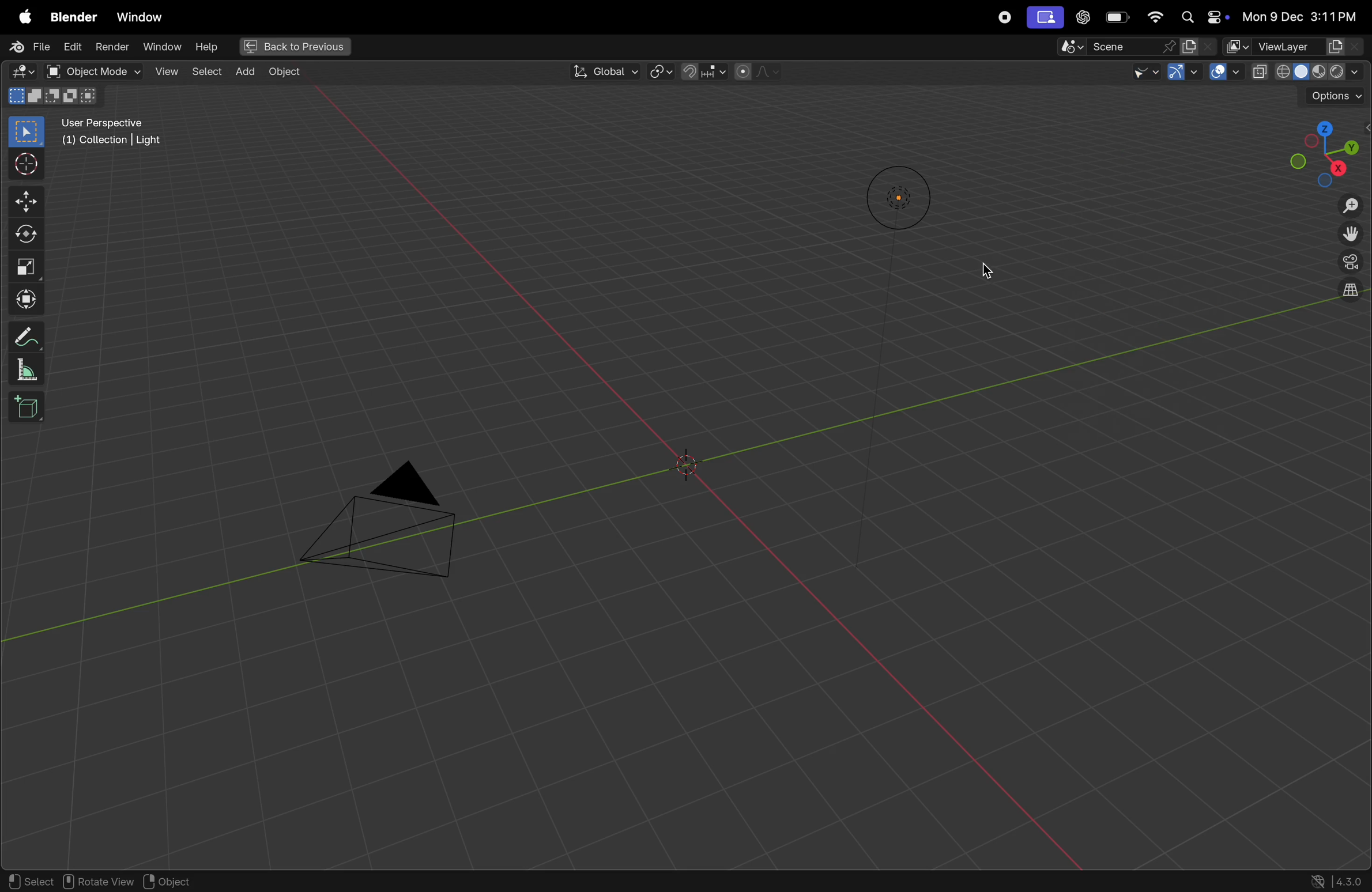 The image size is (1372, 892). Describe the element at coordinates (27, 48) in the screenshot. I see `file` at that location.